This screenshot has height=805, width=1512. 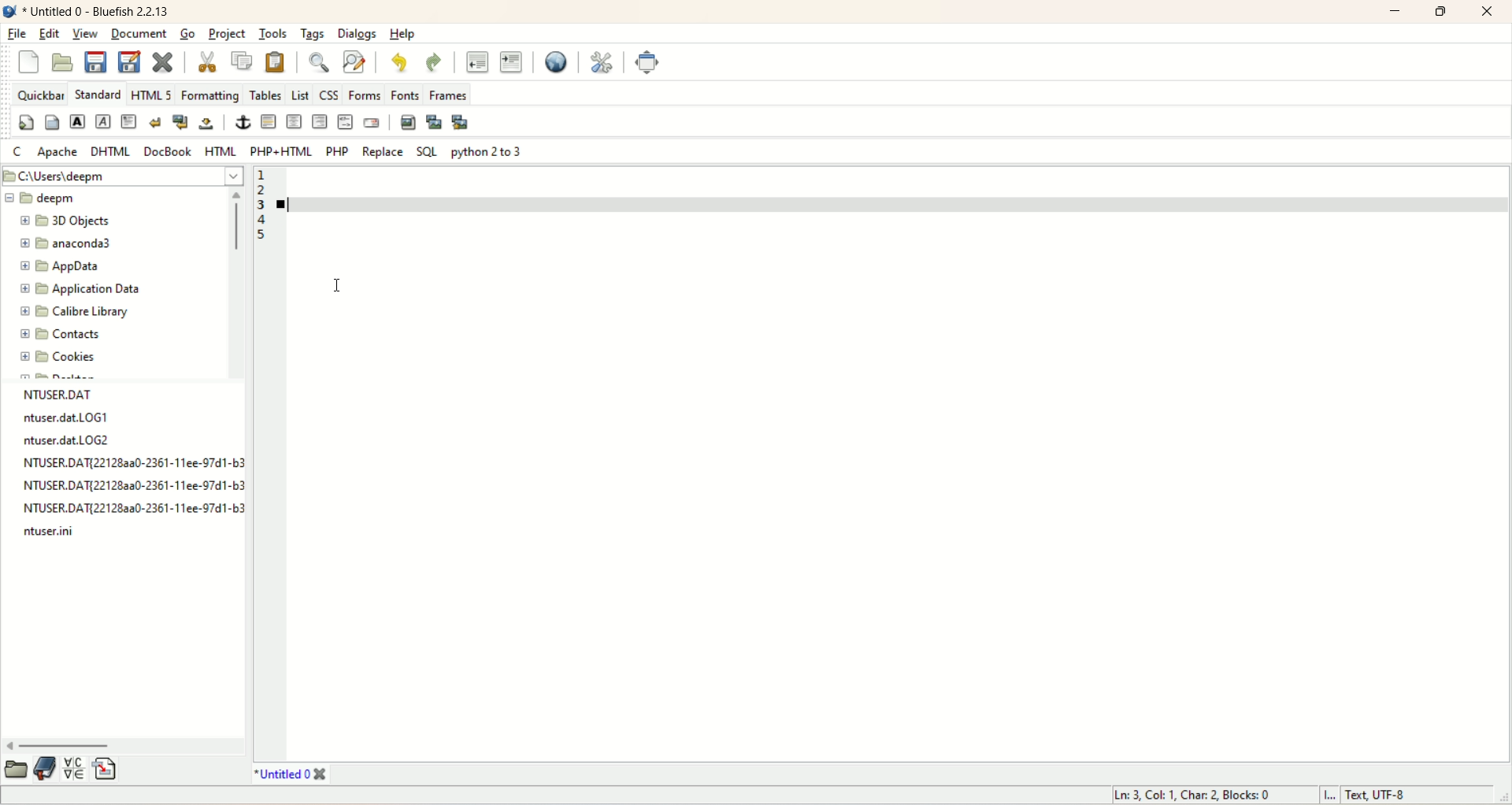 What do you see at coordinates (93, 391) in the screenshot?
I see `file name` at bounding box center [93, 391].